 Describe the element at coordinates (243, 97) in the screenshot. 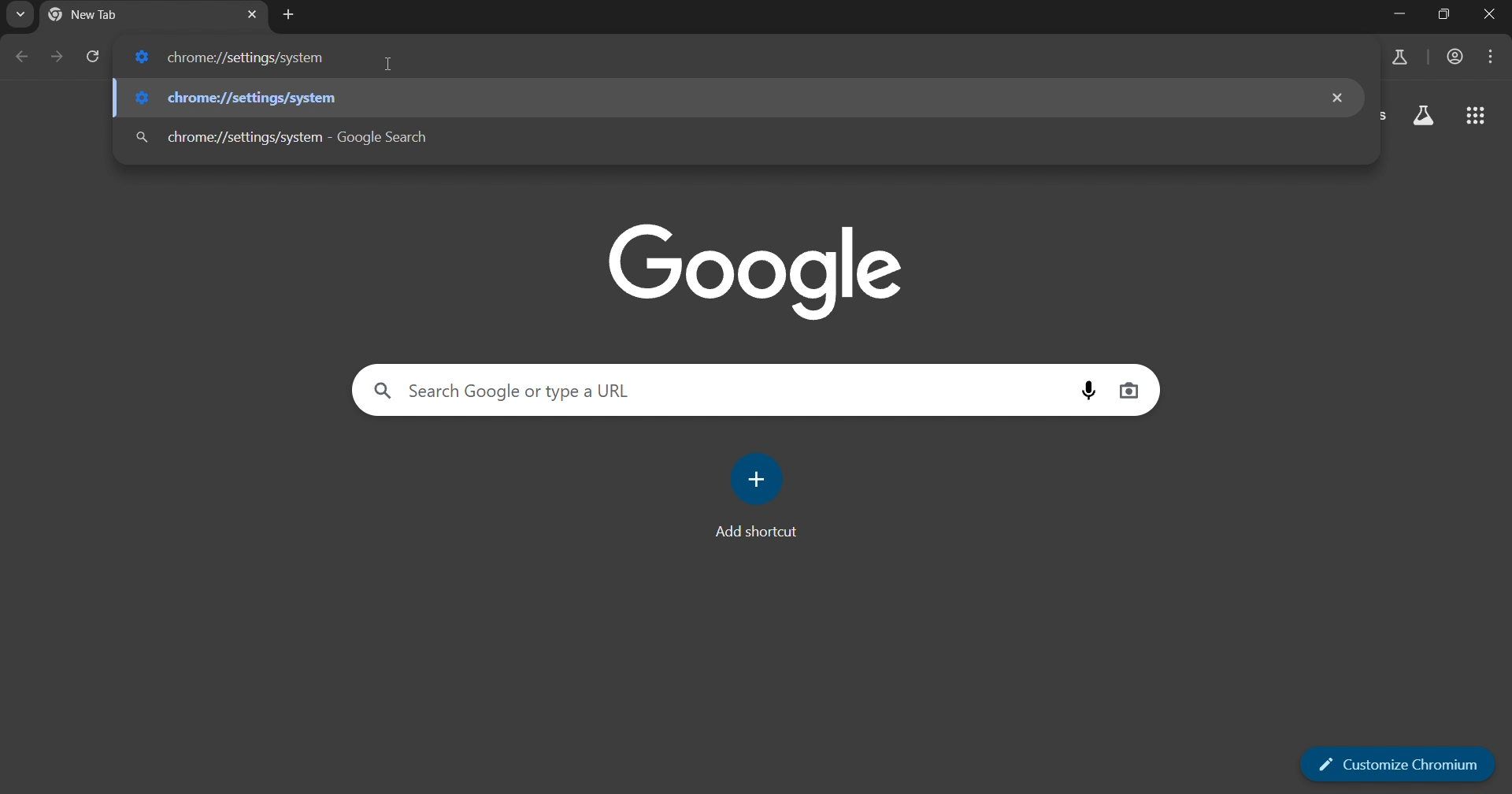

I see `chrome://settings/system` at that location.